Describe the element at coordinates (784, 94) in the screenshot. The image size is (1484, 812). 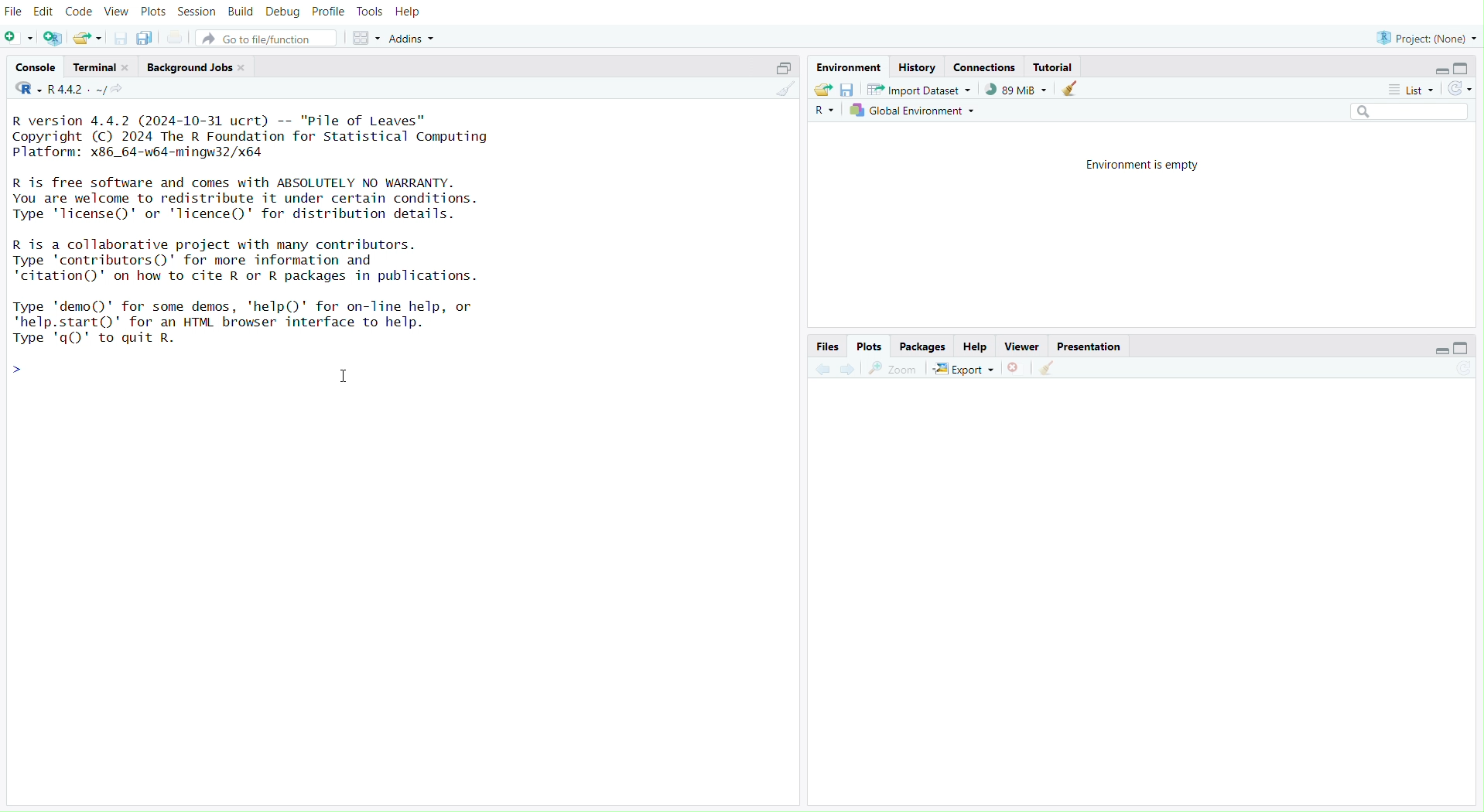
I see `Clear Console (Ctrl + L)` at that location.